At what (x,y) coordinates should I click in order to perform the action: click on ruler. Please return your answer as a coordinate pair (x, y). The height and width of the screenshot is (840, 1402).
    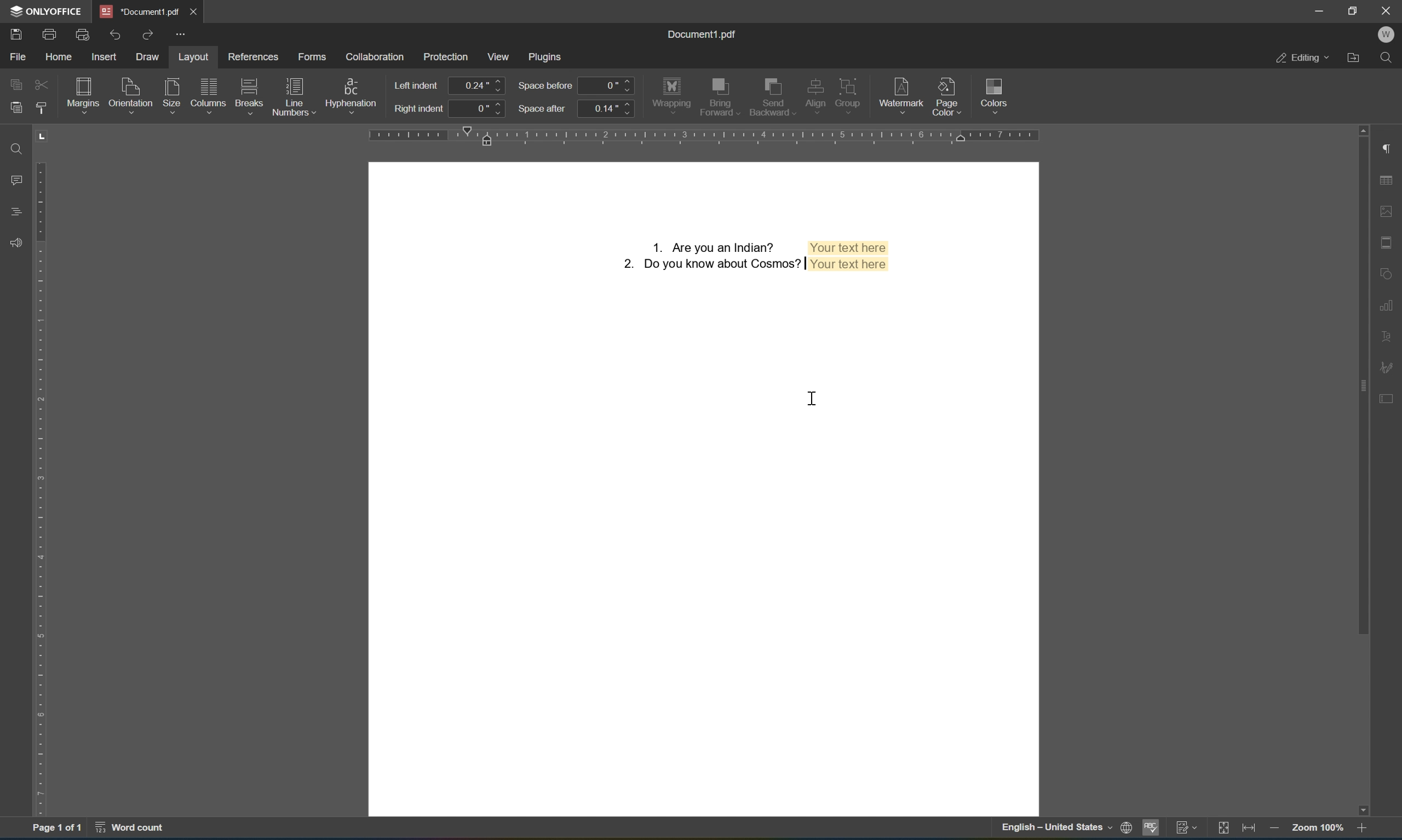
    Looking at the image, I should click on (701, 136).